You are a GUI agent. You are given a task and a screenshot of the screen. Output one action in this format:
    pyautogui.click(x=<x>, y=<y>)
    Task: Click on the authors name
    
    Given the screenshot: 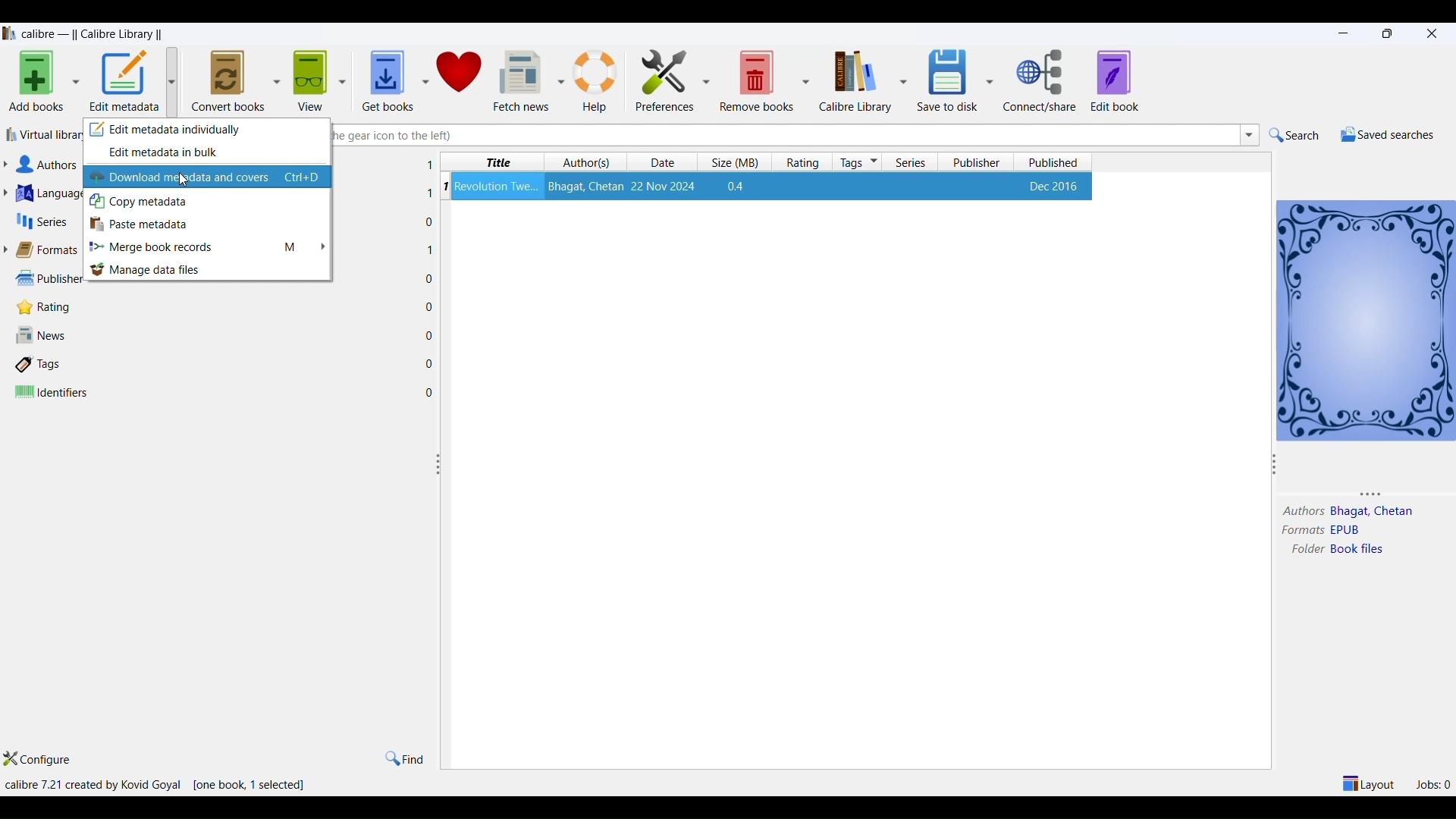 What is the action you would take?
    pyautogui.click(x=1373, y=510)
    